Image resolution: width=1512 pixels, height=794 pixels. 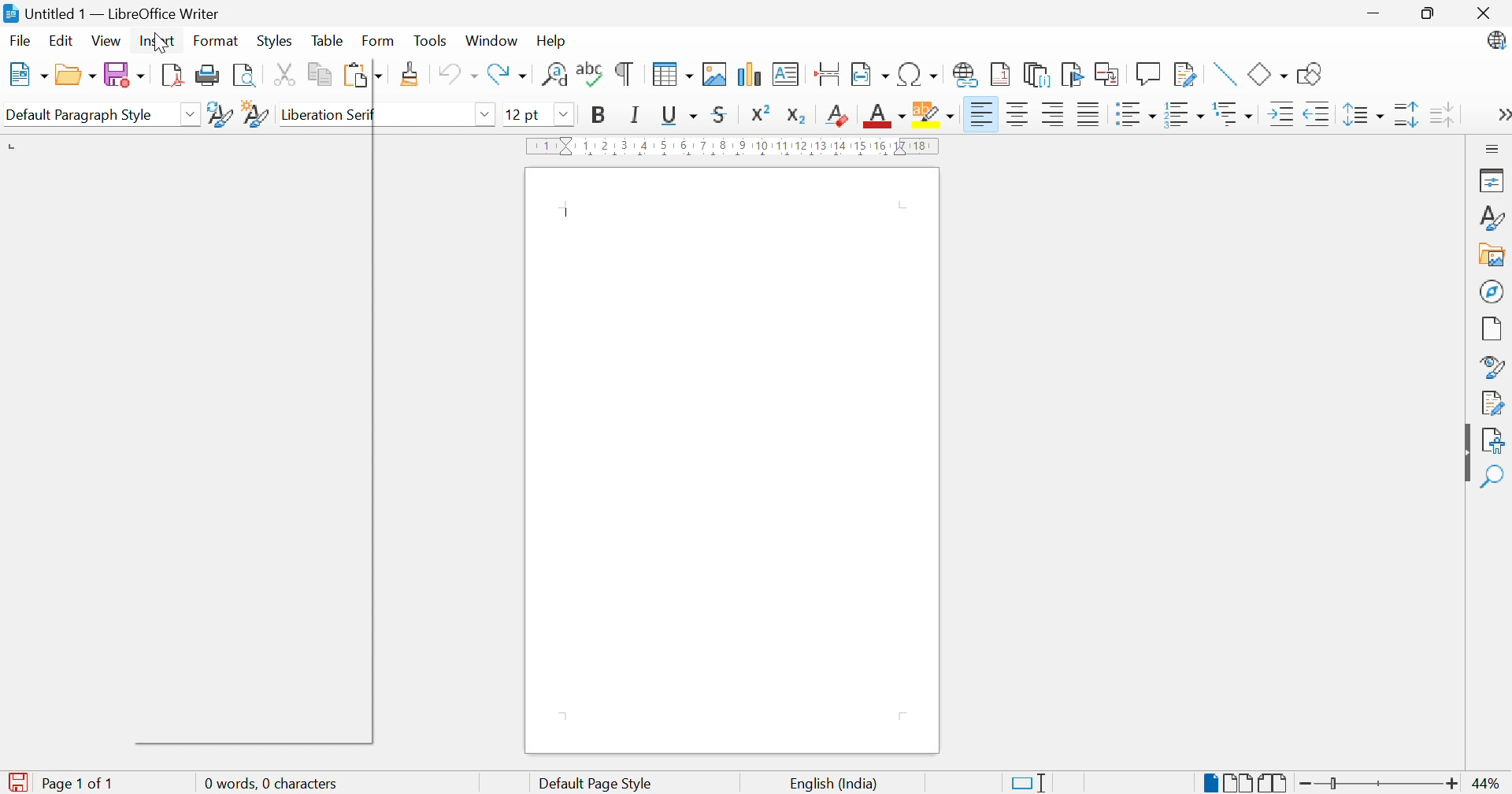 I want to click on Increase indent, so click(x=1277, y=117).